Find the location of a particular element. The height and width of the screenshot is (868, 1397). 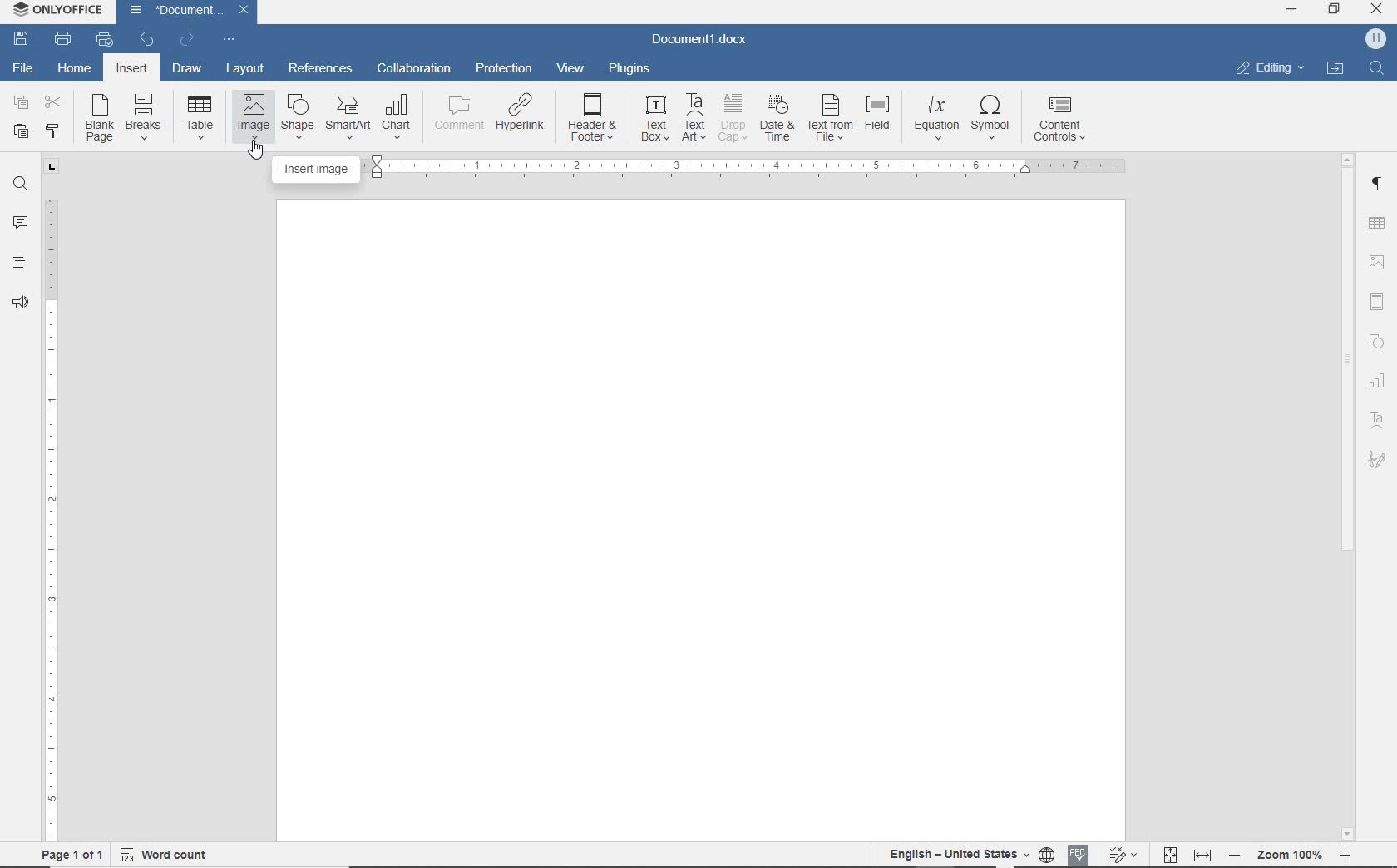

editing is located at coordinates (1272, 67).